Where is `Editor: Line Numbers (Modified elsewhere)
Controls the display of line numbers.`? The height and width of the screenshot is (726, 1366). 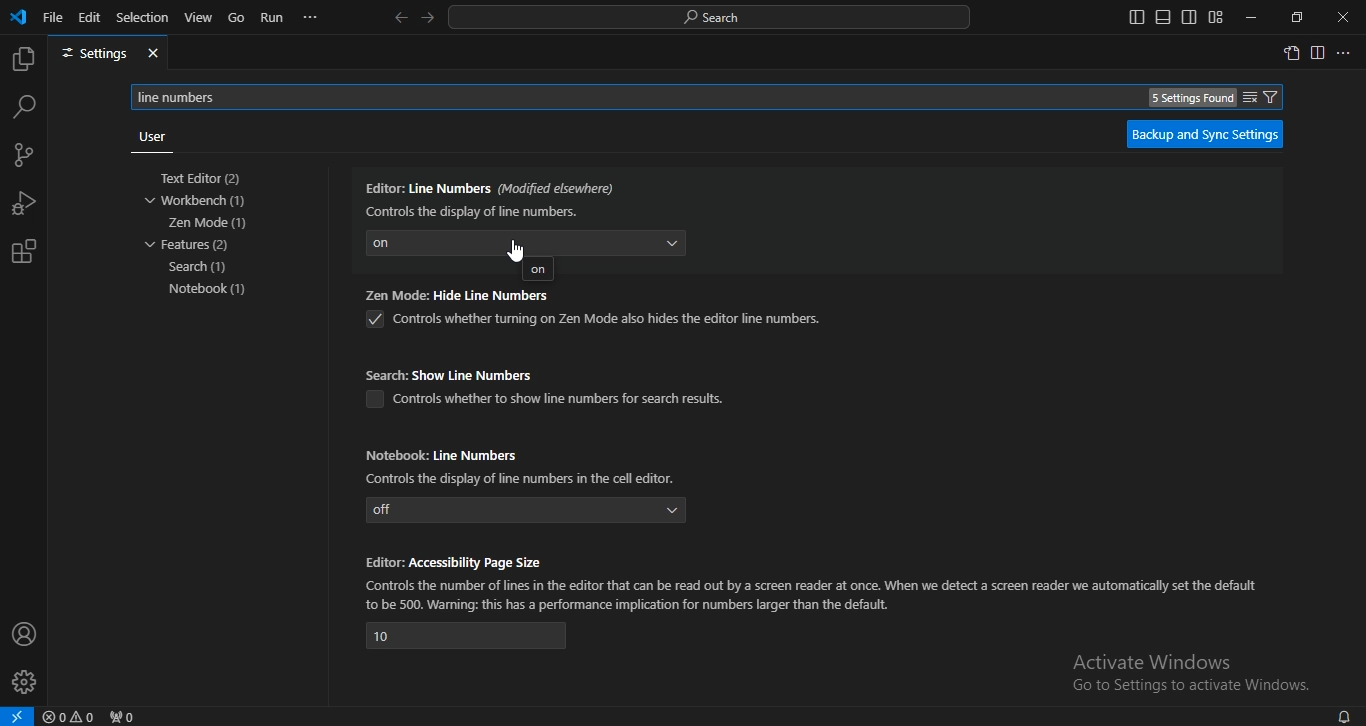 Editor: Line Numbers (Modified elsewhere)
Controls the display of line numbers. is located at coordinates (492, 197).